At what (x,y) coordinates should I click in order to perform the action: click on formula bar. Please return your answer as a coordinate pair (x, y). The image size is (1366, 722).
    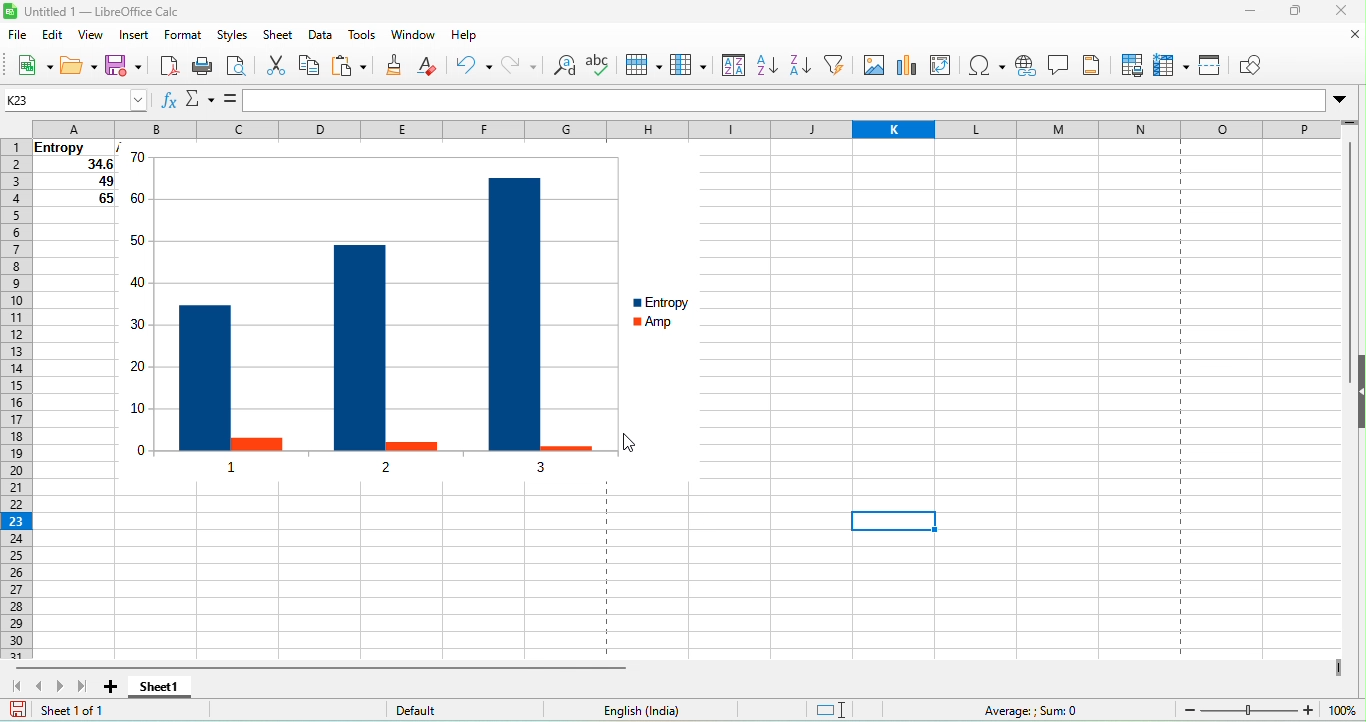
    Looking at the image, I should click on (800, 102).